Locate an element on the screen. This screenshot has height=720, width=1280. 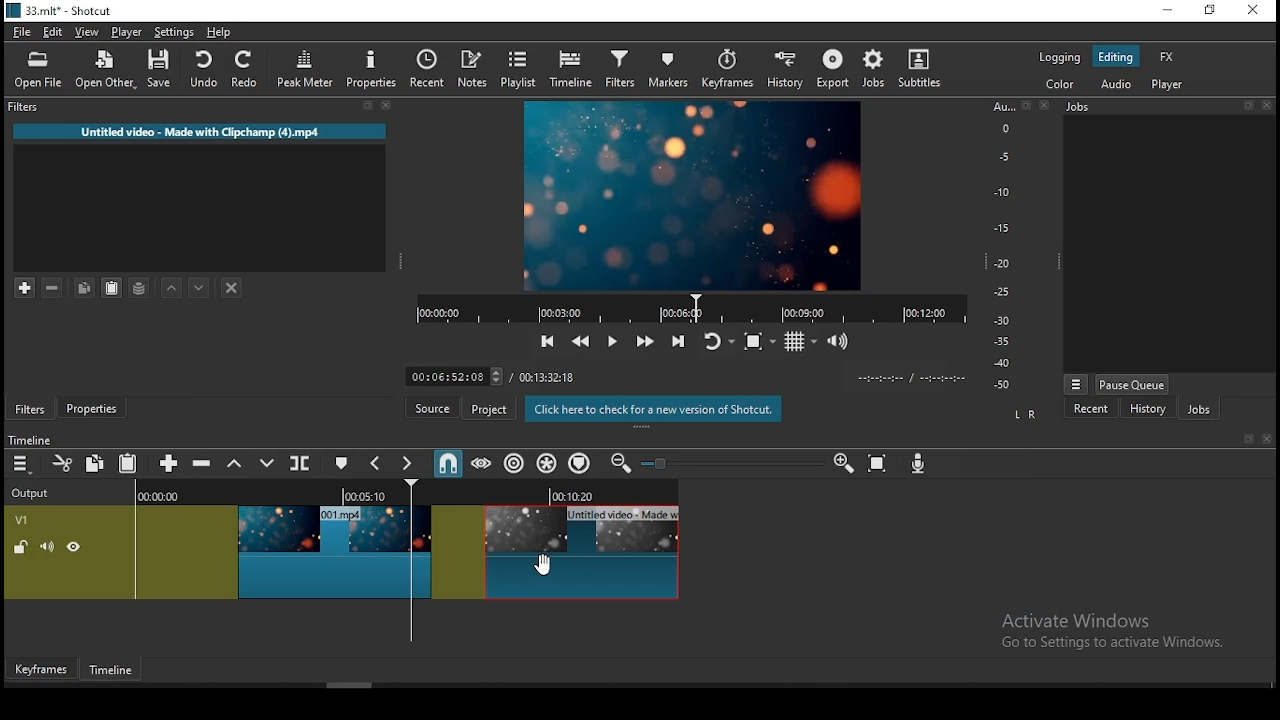
elapsed time is located at coordinates (455, 374).